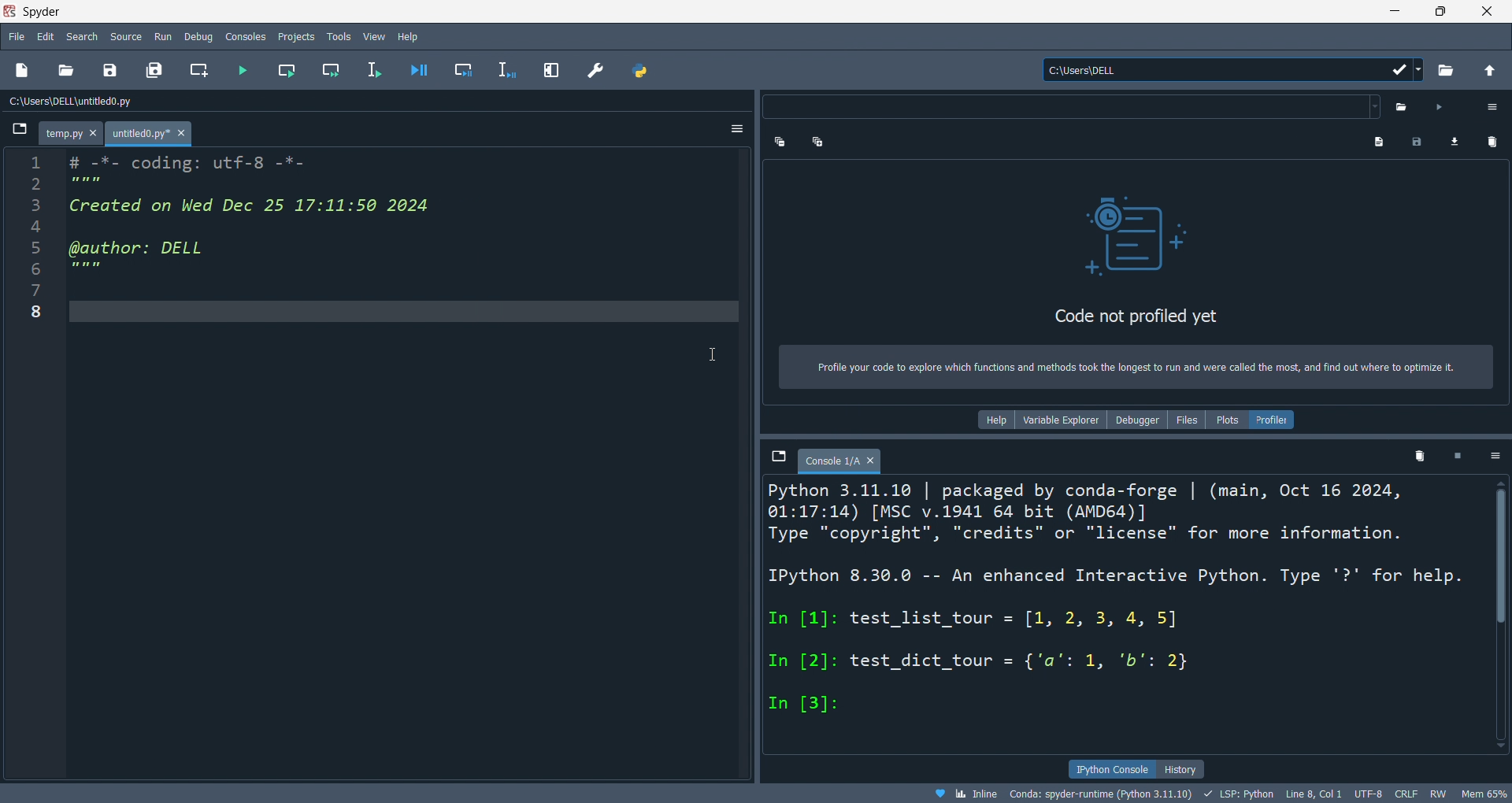 This screenshot has height=803, width=1512. Describe the element at coordinates (1457, 458) in the screenshot. I see `delete kernel` at that location.